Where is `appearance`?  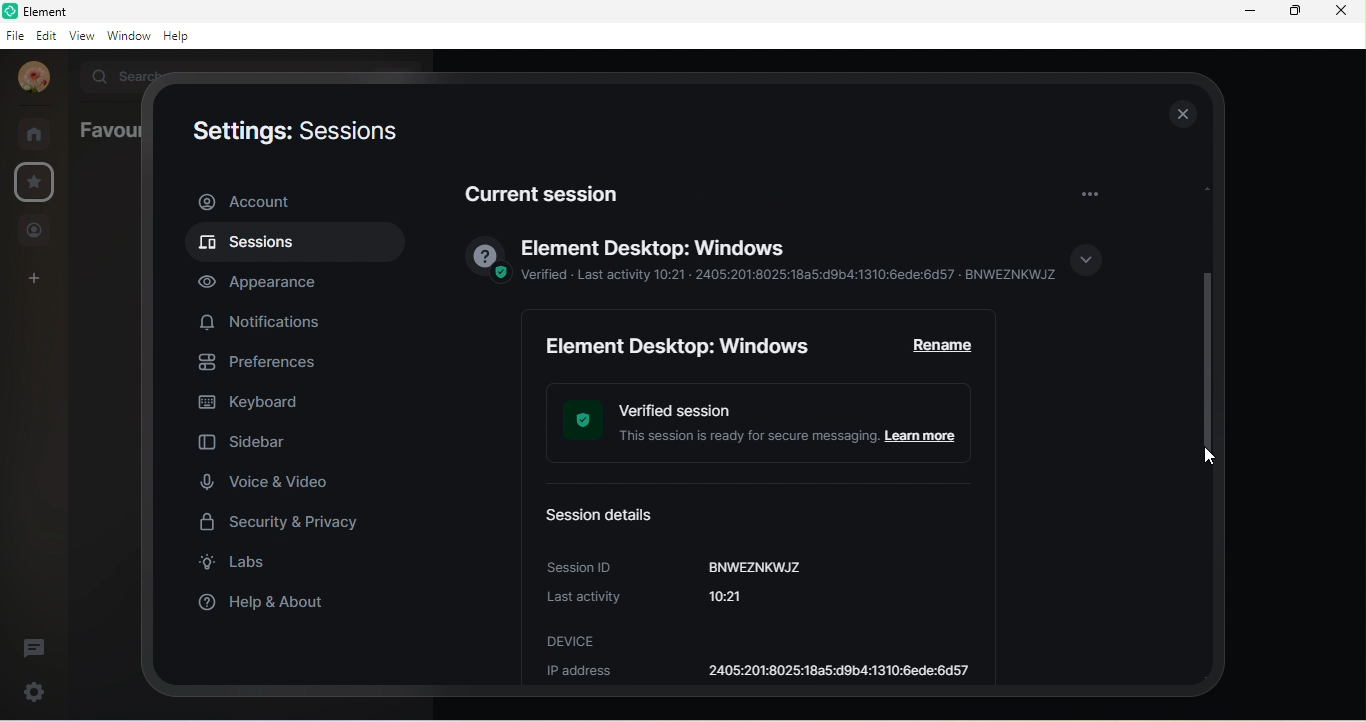
appearance is located at coordinates (269, 282).